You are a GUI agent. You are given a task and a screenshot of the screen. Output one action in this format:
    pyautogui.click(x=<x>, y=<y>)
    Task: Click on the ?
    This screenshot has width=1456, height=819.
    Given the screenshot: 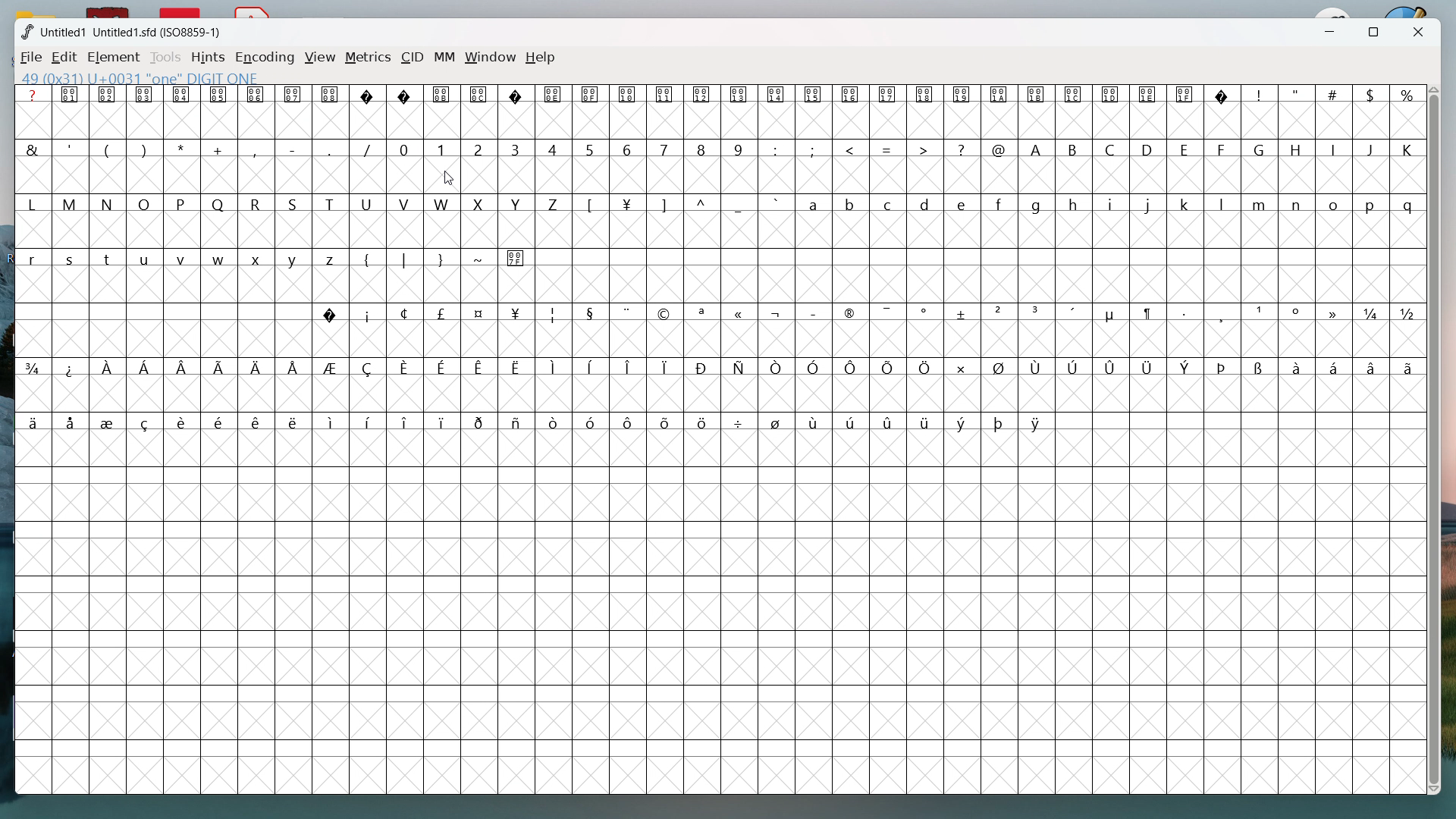 What is the action you would take?
    pyautogui.click(x=962, y=149)
    